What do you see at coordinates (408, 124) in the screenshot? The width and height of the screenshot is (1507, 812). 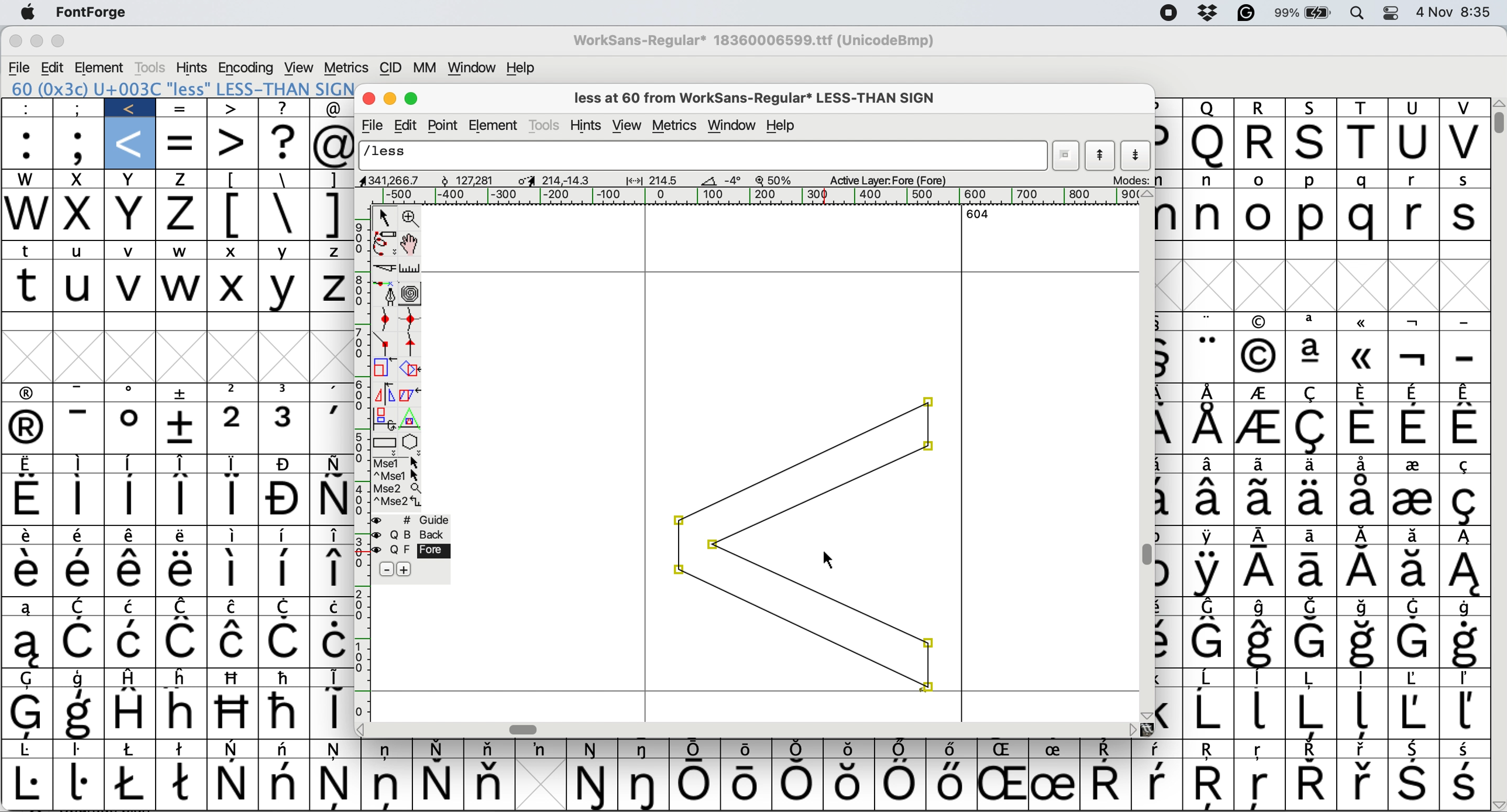 I see `edit` at bounding box center [408, 124].